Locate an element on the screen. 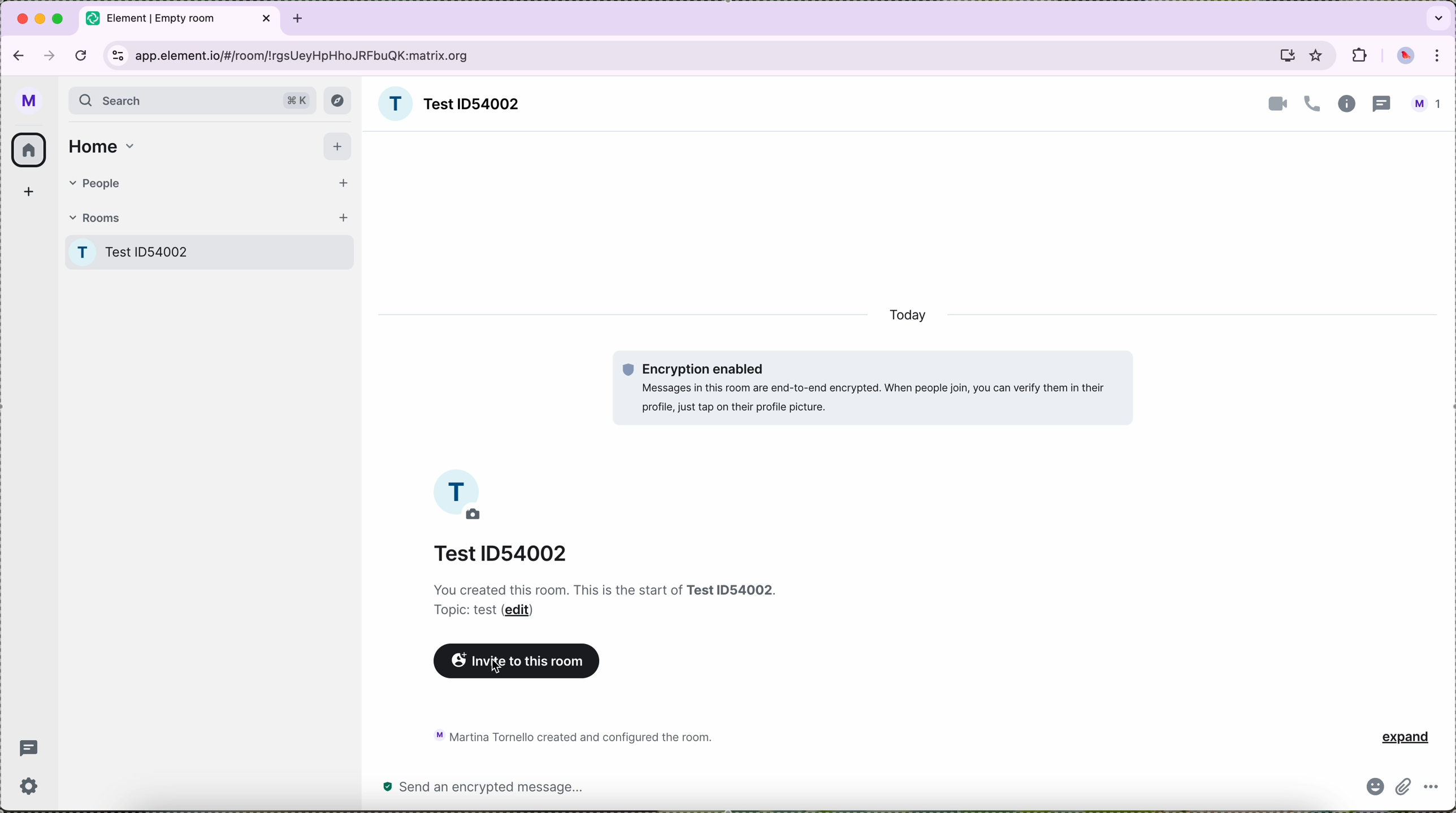 The width and height of the screenshot is (1456, 813). profile is located at coordinates (31, 101).